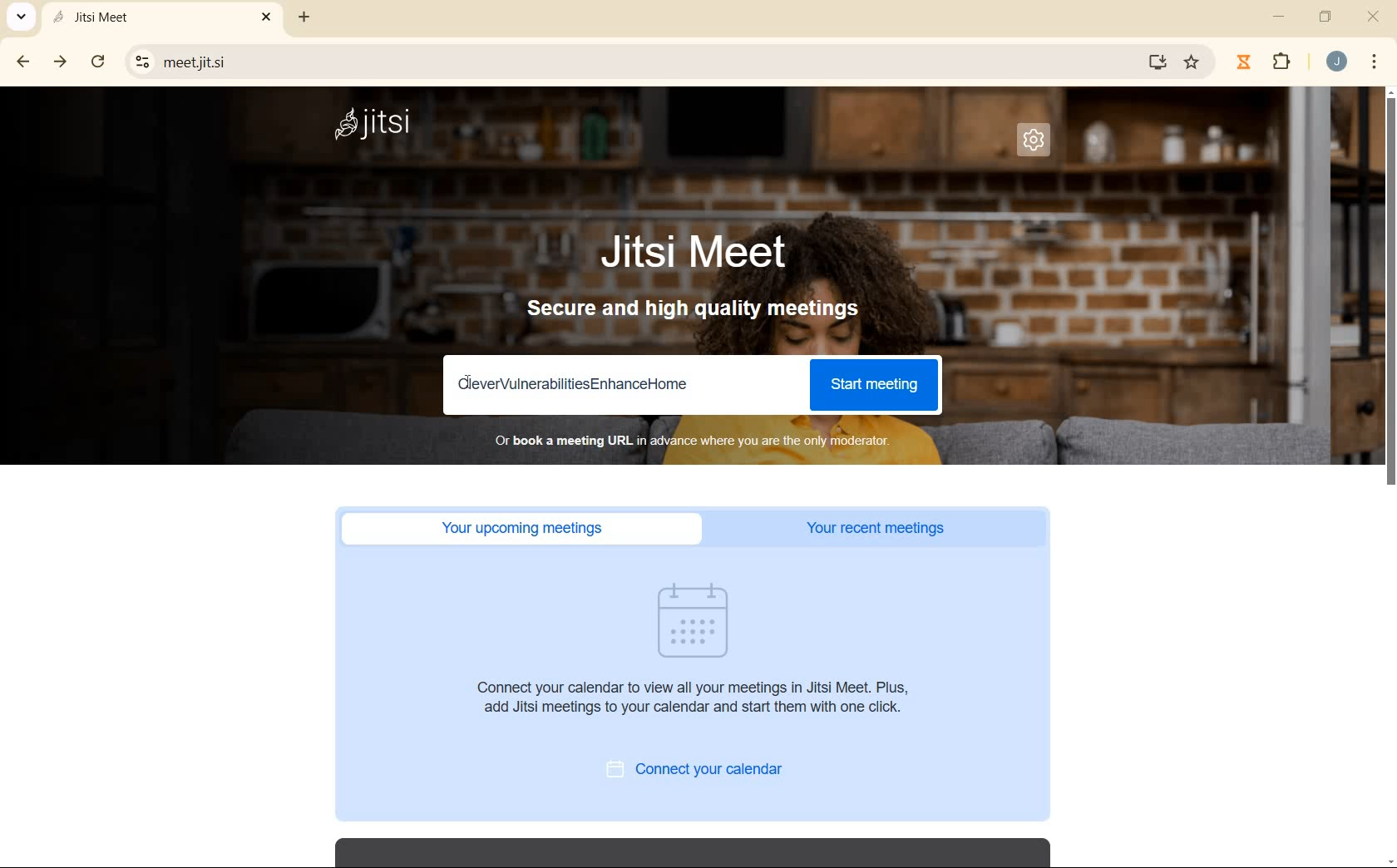 The width and height of the screenshot is (1397, 868). Describe the element at coordinates (304, 20) in the screenshot. I see `add tab` at that location.